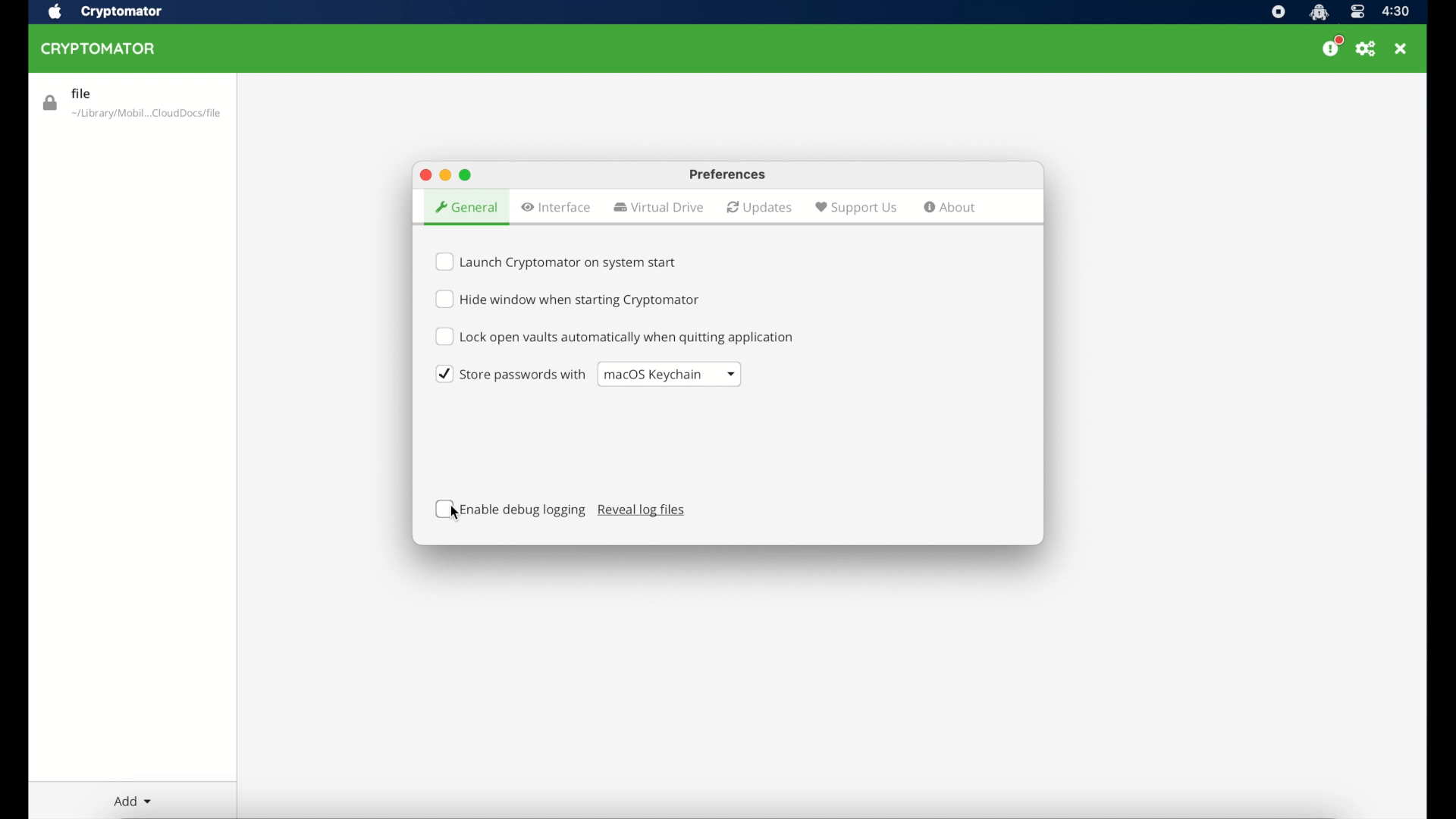 The height and width of the screenshot is (819, 1456). What do you see at coordinates (424, 174) in the screenshot?
I see `close` at bounding box center [424, 174].